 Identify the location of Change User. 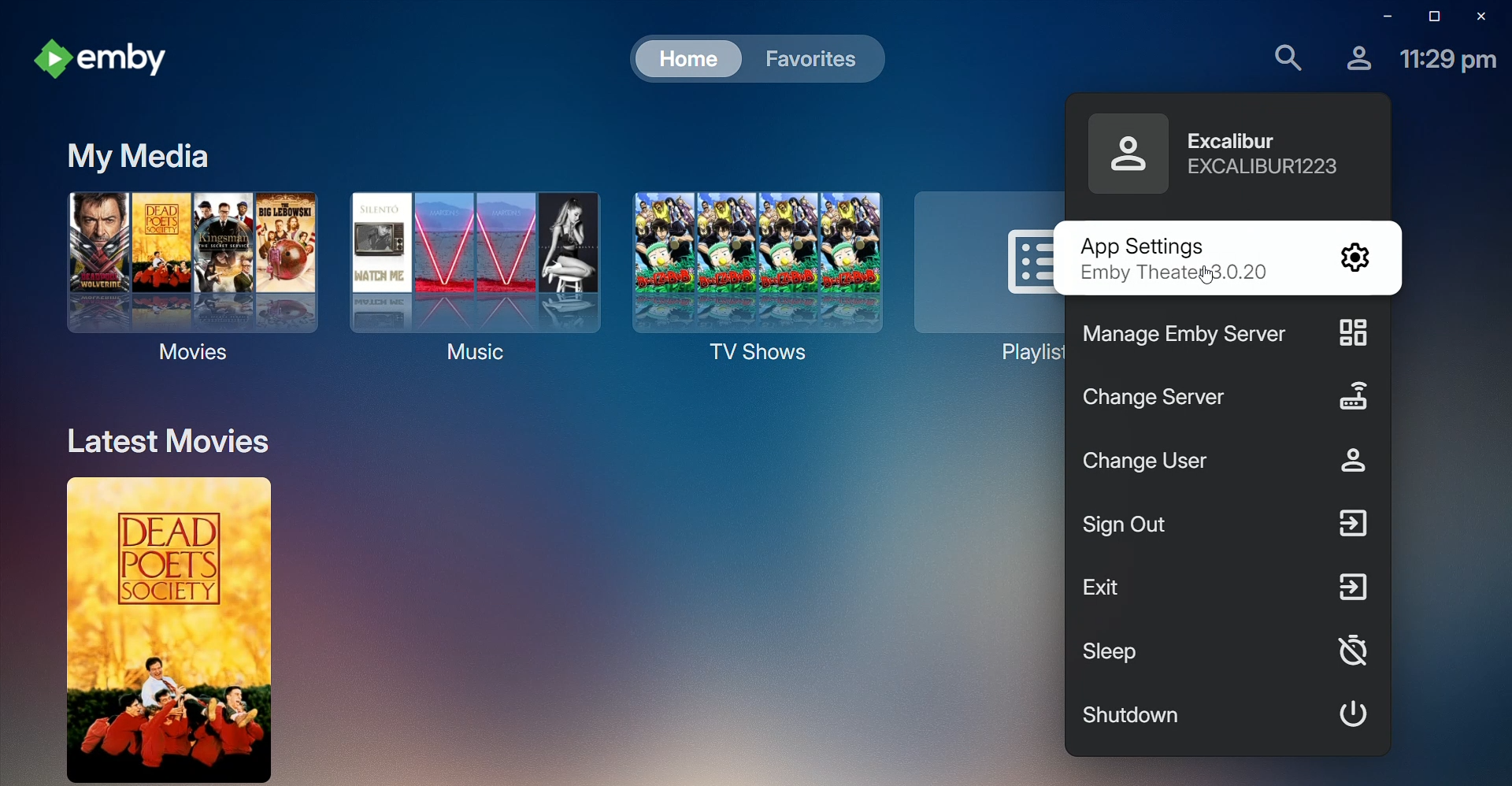
(1228, 466).